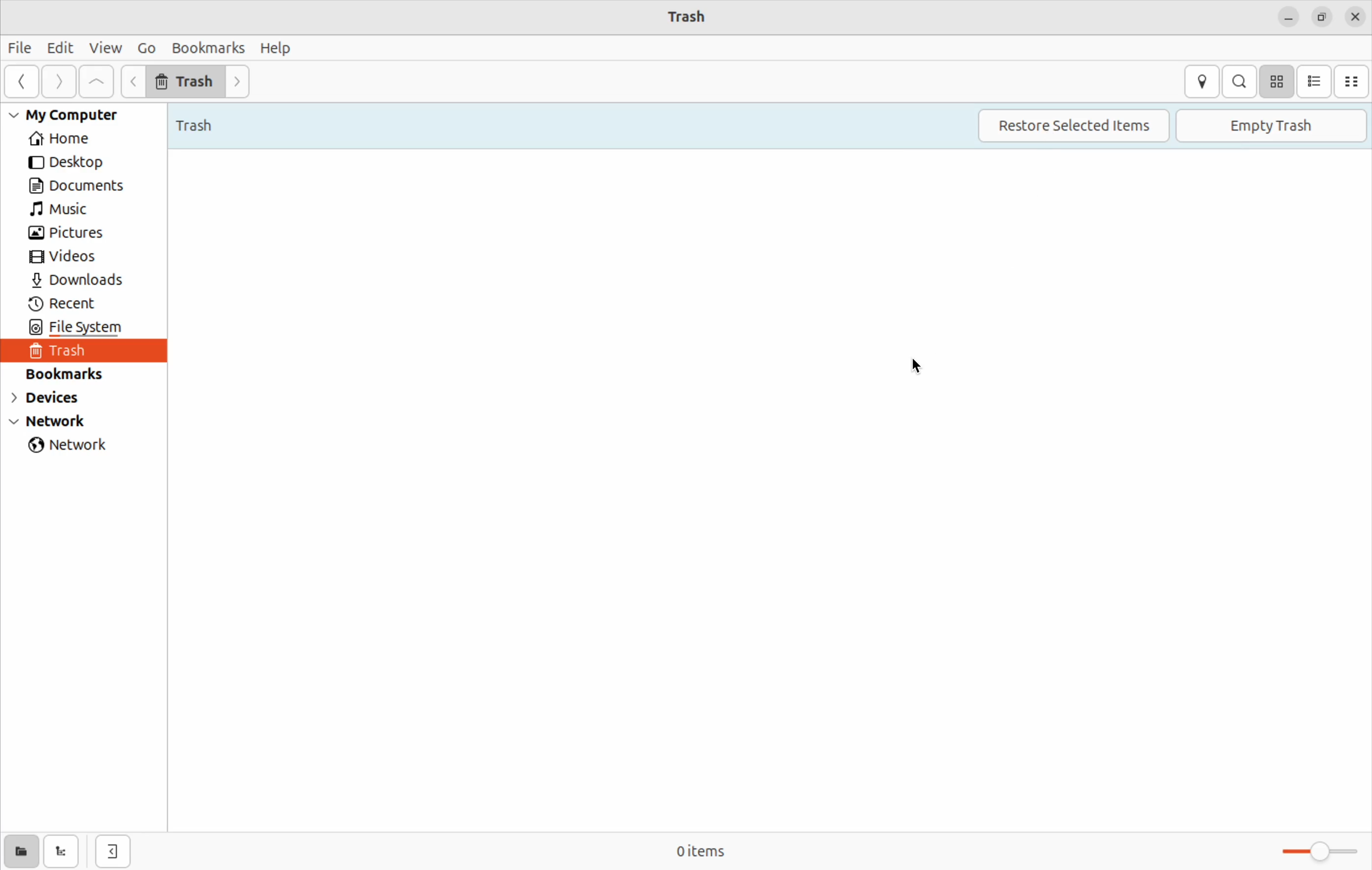 The image size is (1372, 870). What do you see at coordinates (74, 352) in the screenshot?
I see `trash` at bounding box center [74, 352].